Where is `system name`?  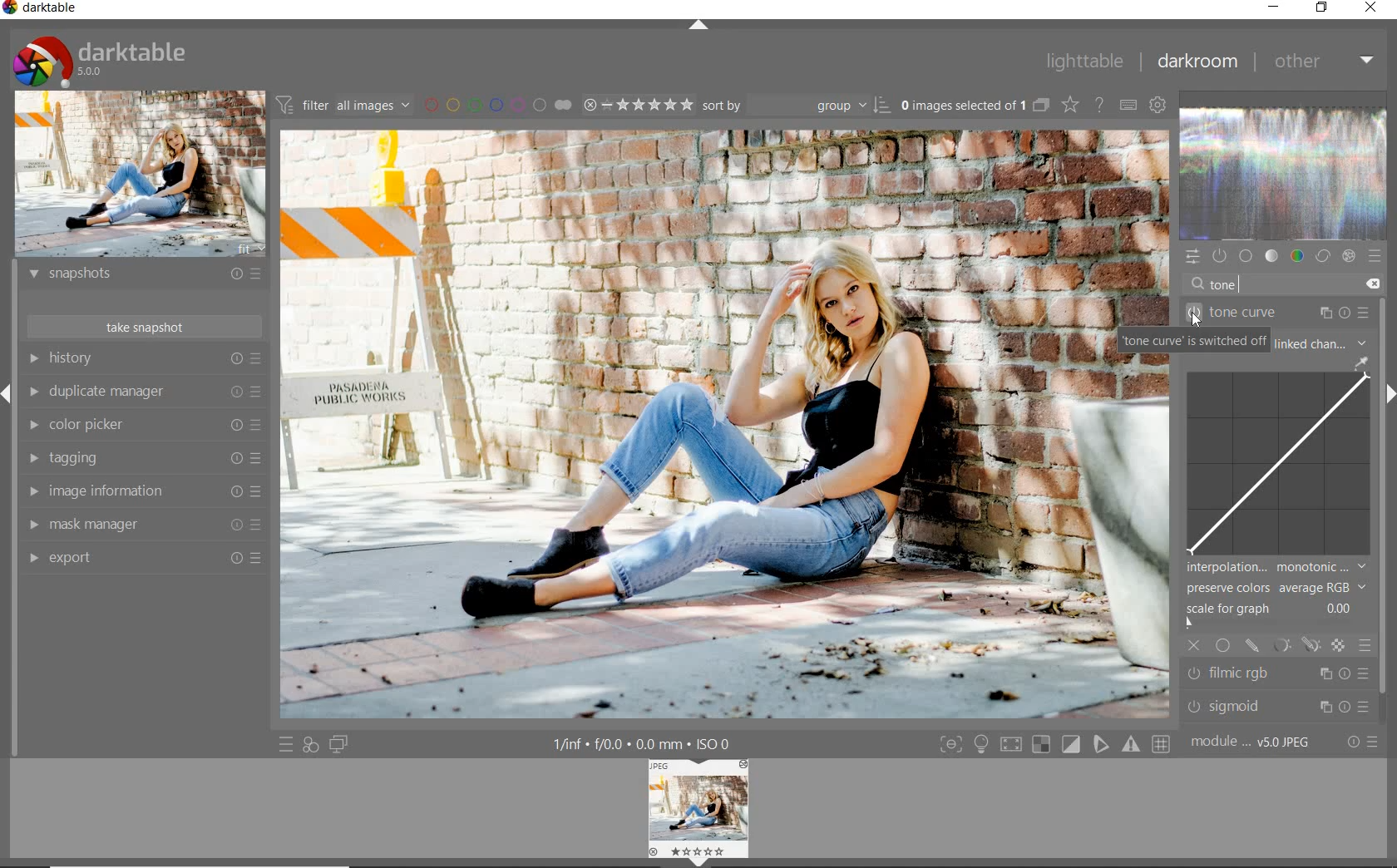
system name is located at coordinates (45, 10).